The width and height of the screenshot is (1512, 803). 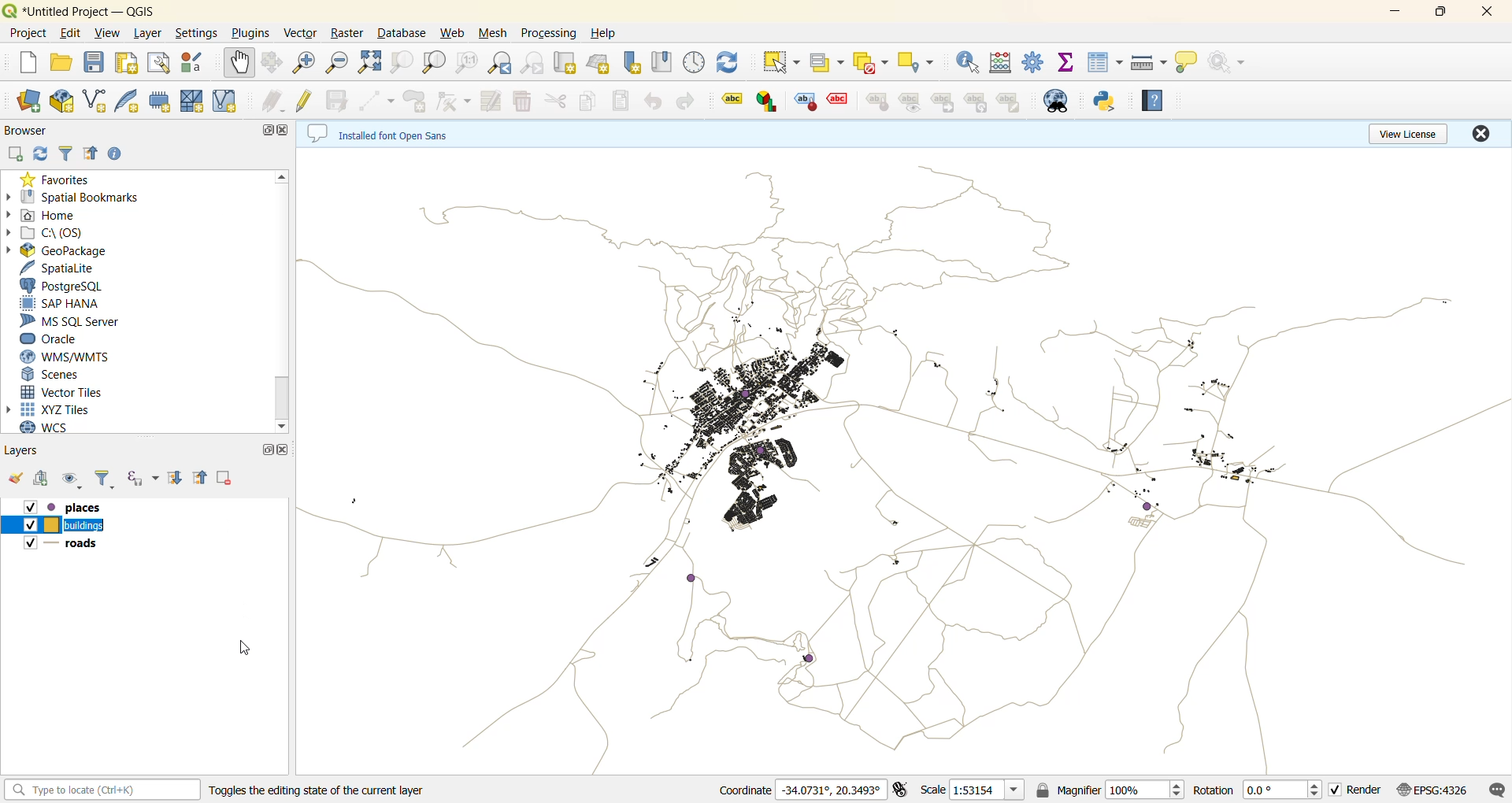 What do you see at coordinates (57, 339) in the screenshot?
I see `oracle` at bounding box center [57, 339].